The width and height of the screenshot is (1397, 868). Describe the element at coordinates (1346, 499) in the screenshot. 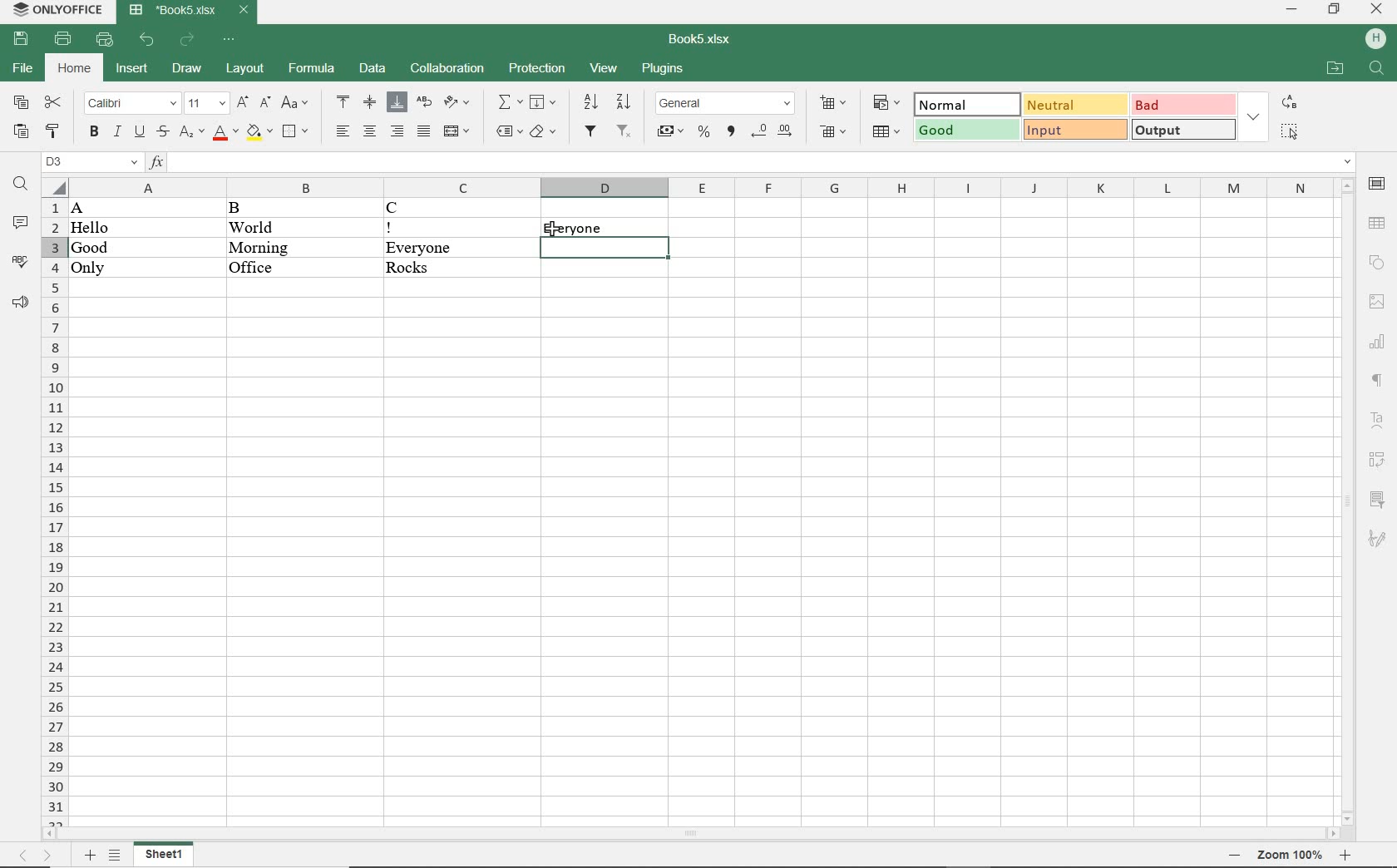

I see `scrollbar` at that location.